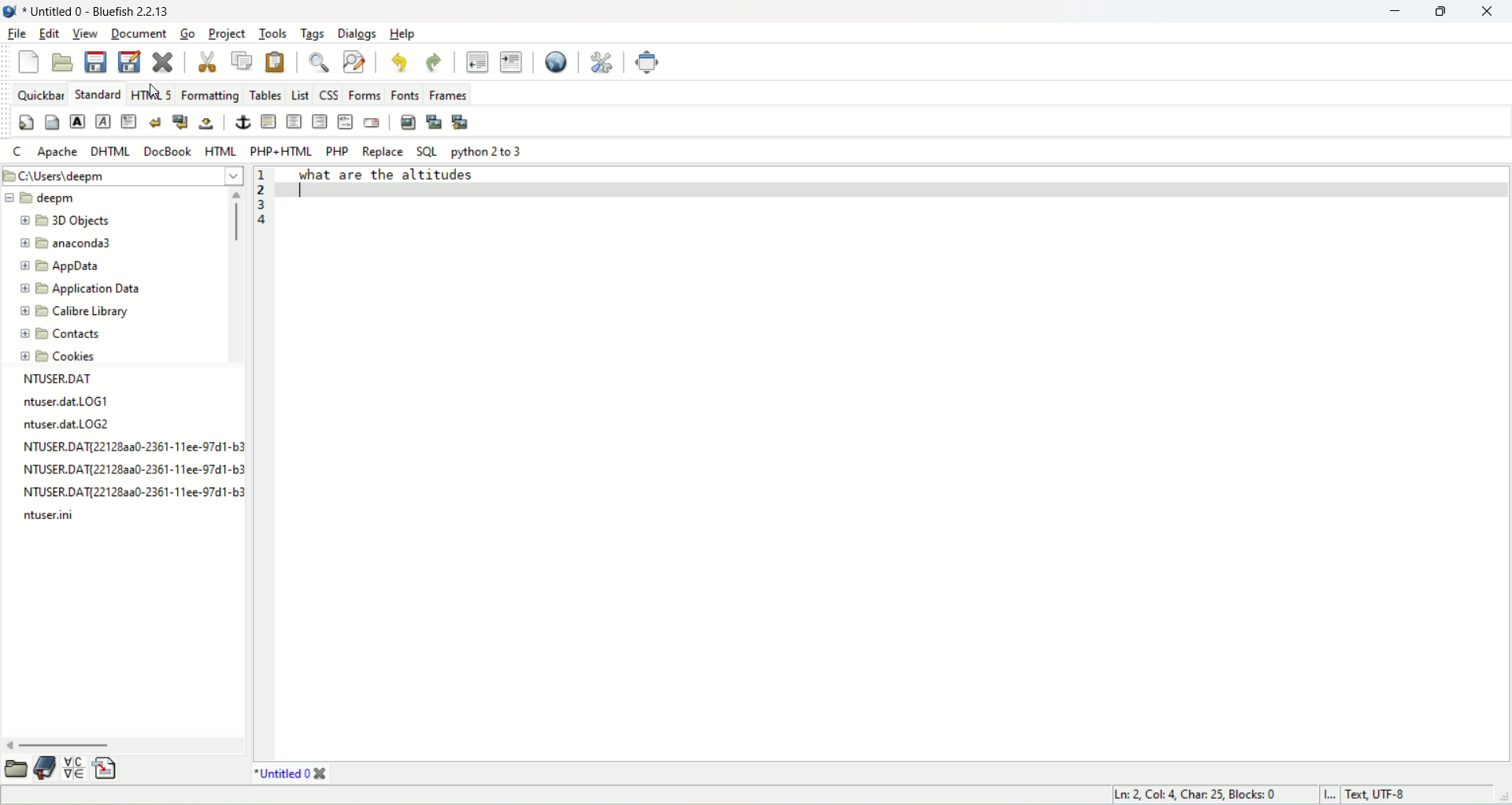  I want to click on right justify, so click(322, 121).